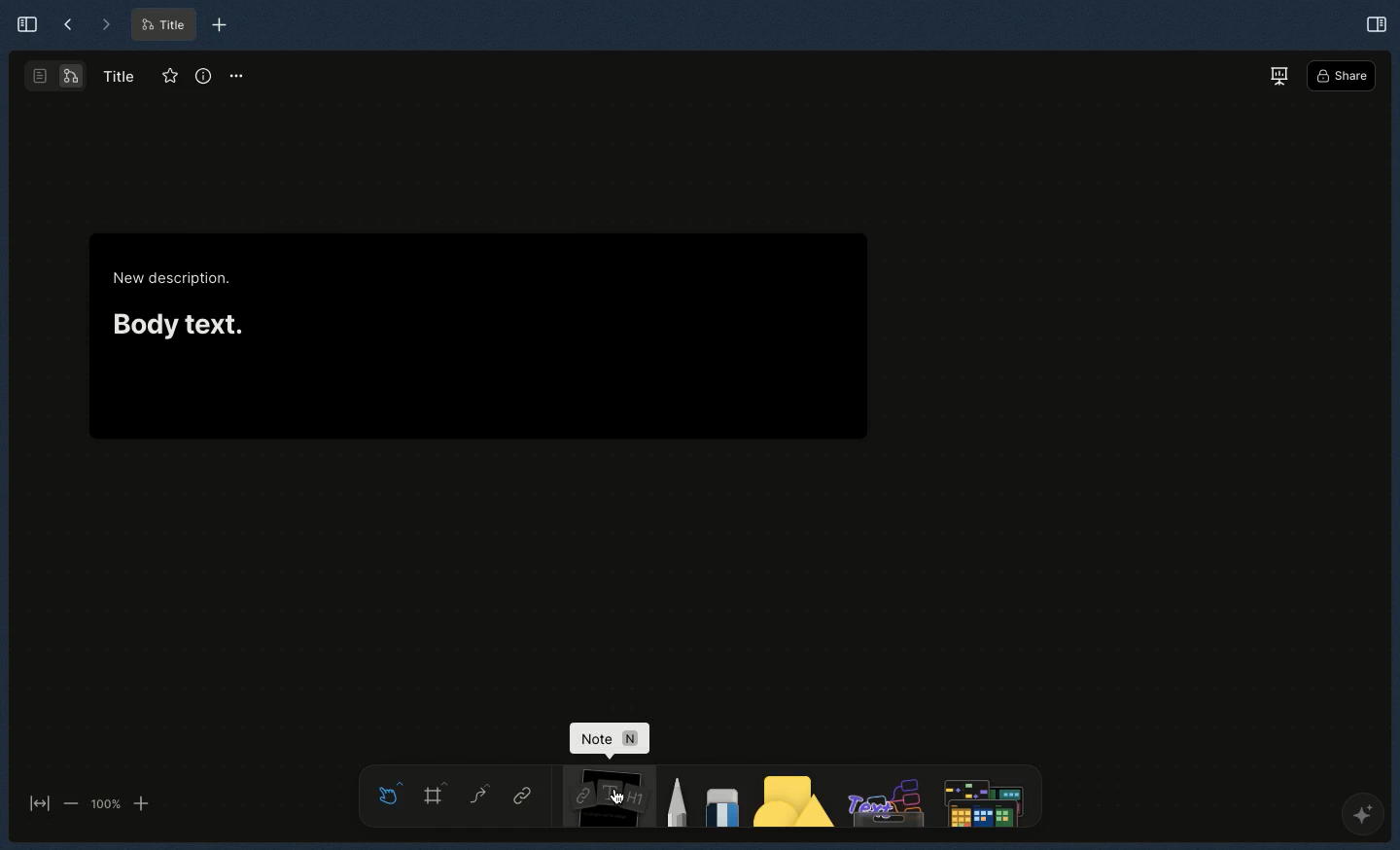 The image size is (1400, 850). I want to click on Share, so click(1342, 77).